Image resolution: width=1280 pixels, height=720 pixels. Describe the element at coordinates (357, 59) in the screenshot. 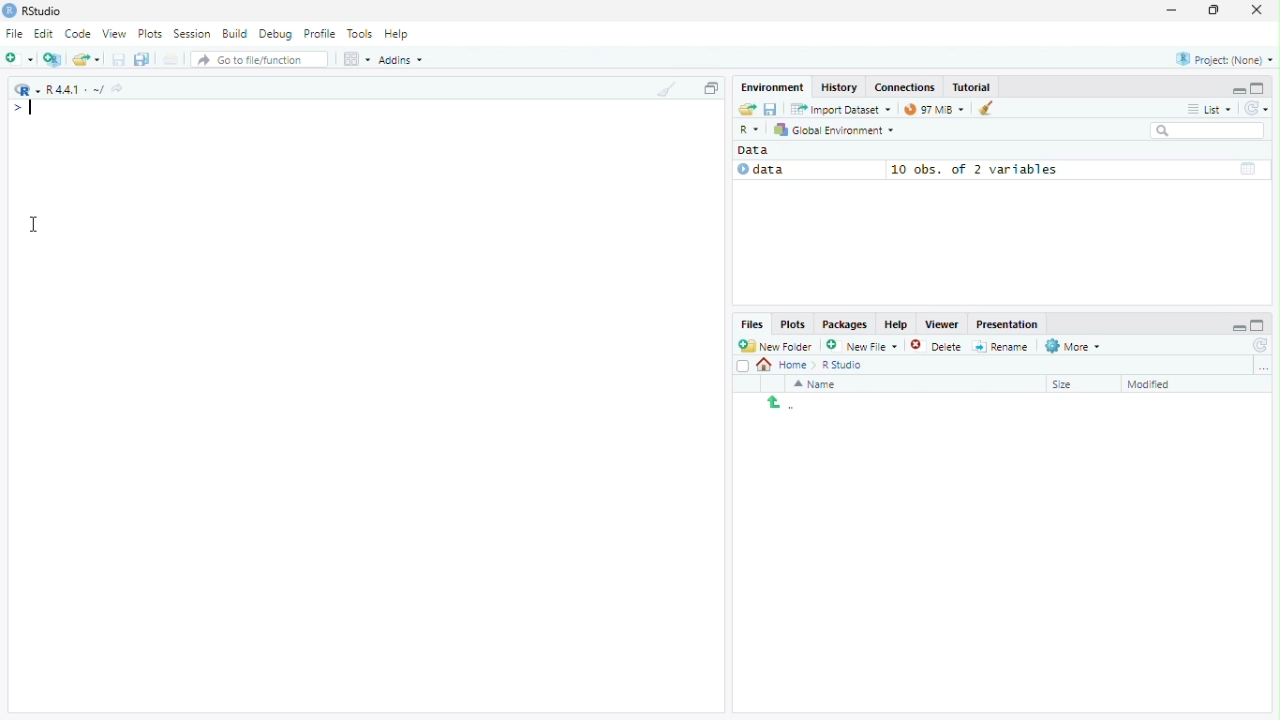

I see `workspace panes` at that location.